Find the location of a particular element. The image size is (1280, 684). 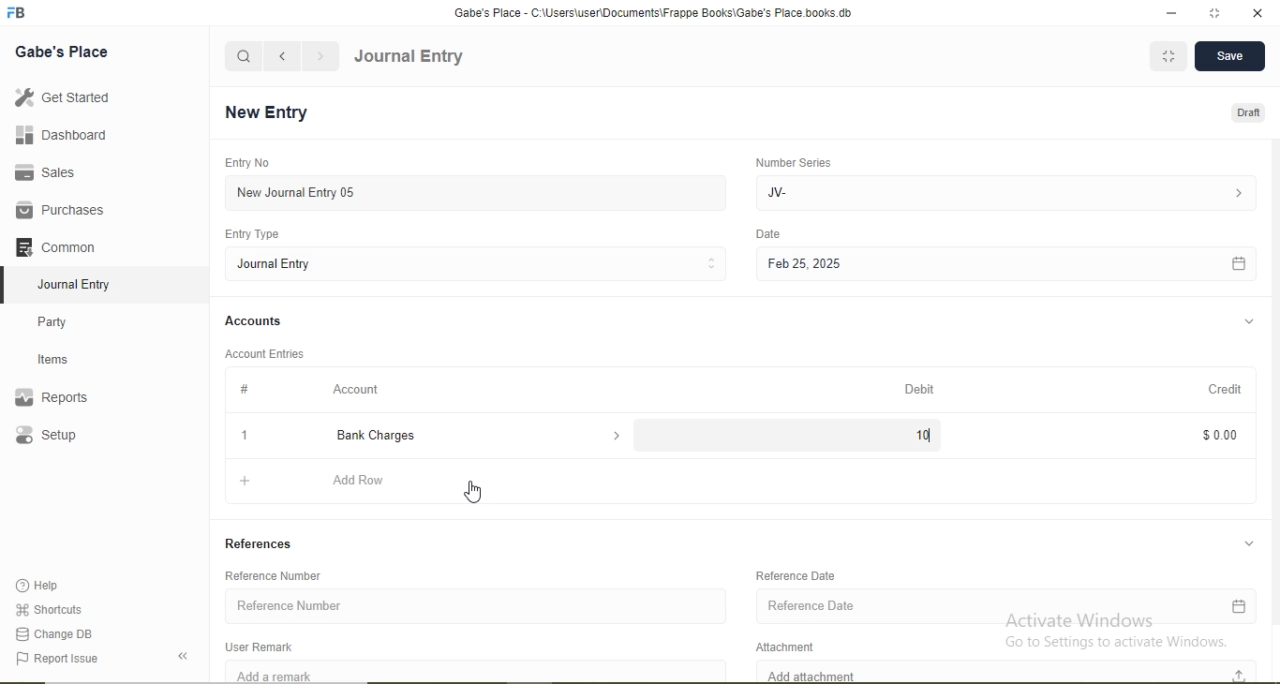

Feb 25, 2025 is located at coordinates (1005, 265).